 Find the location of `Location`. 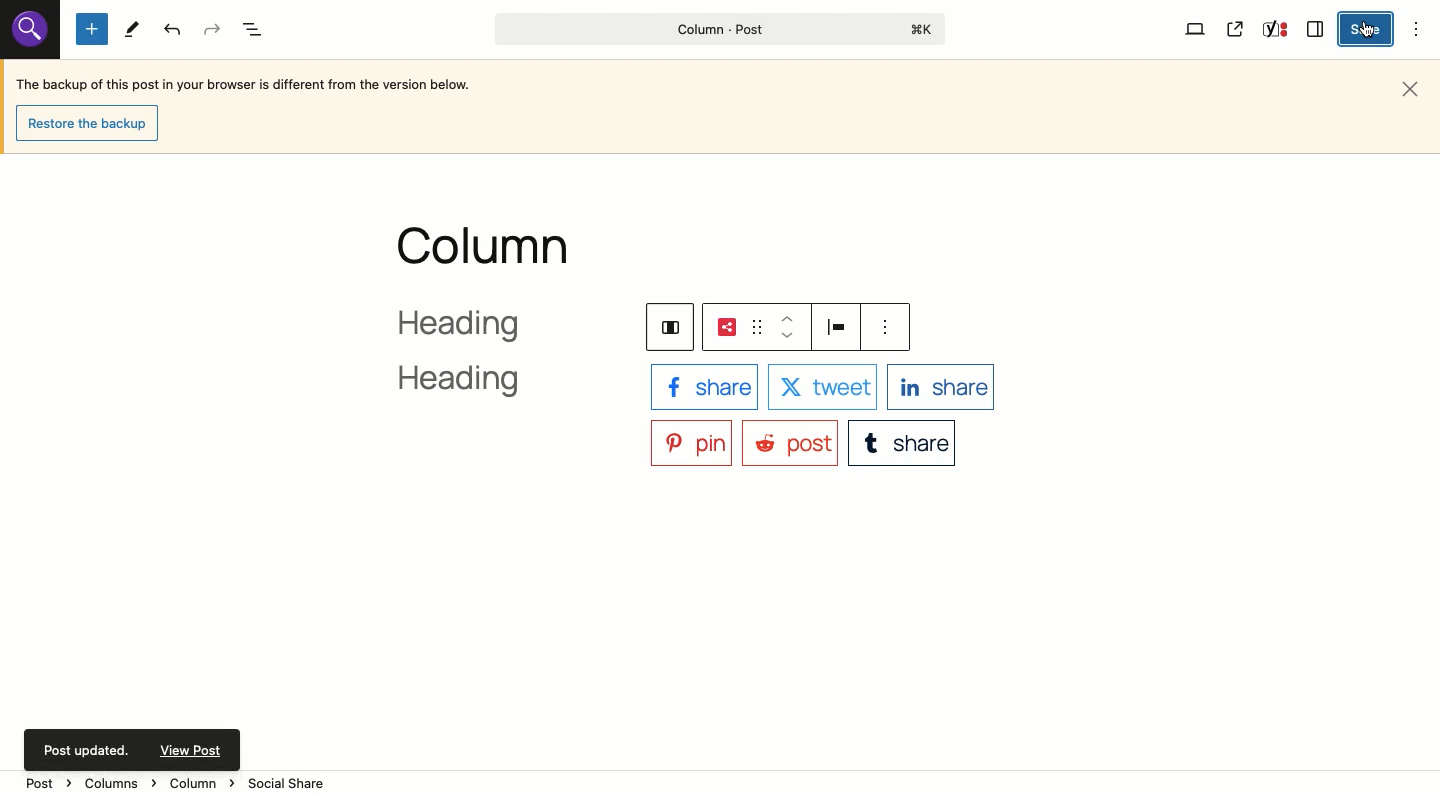

Location is located at coordinates (722, 782).